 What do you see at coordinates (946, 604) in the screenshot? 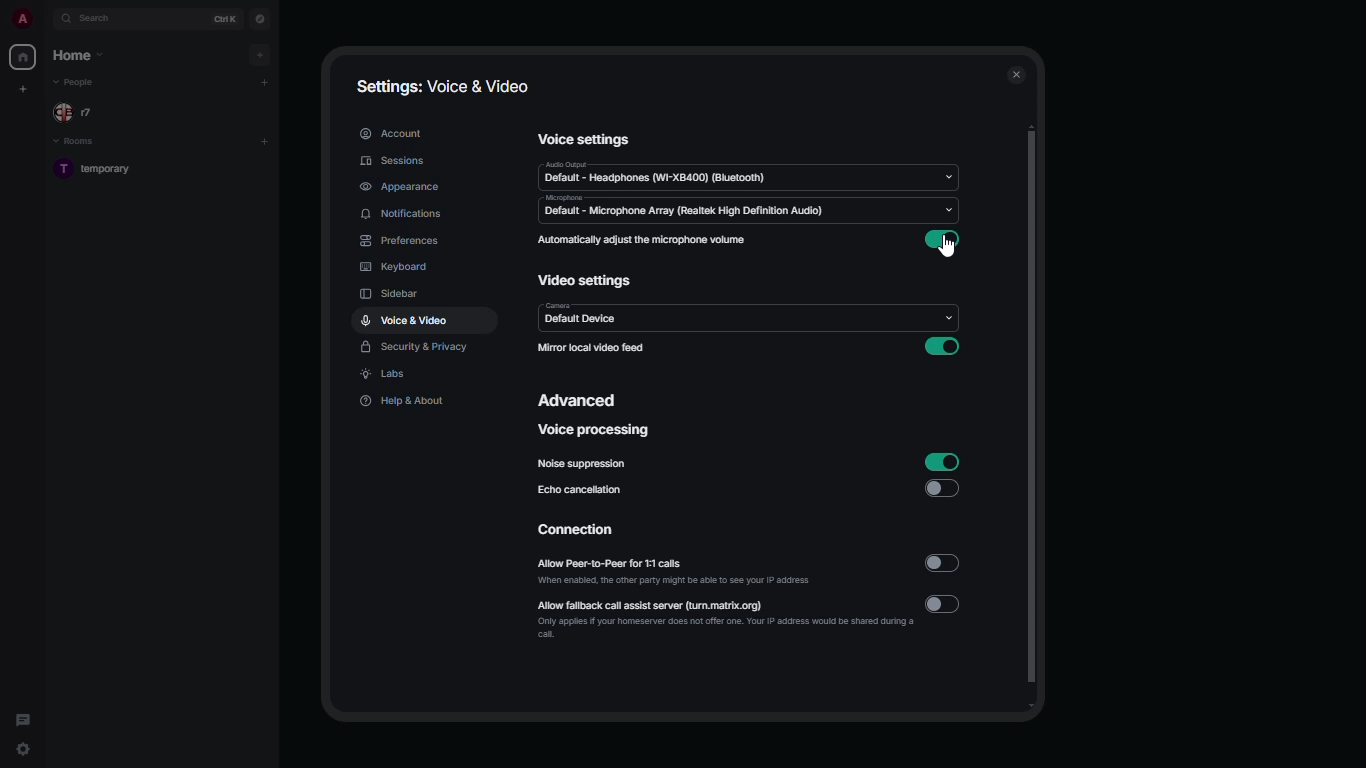
I see `disabled` at bounding box center [946, 604].